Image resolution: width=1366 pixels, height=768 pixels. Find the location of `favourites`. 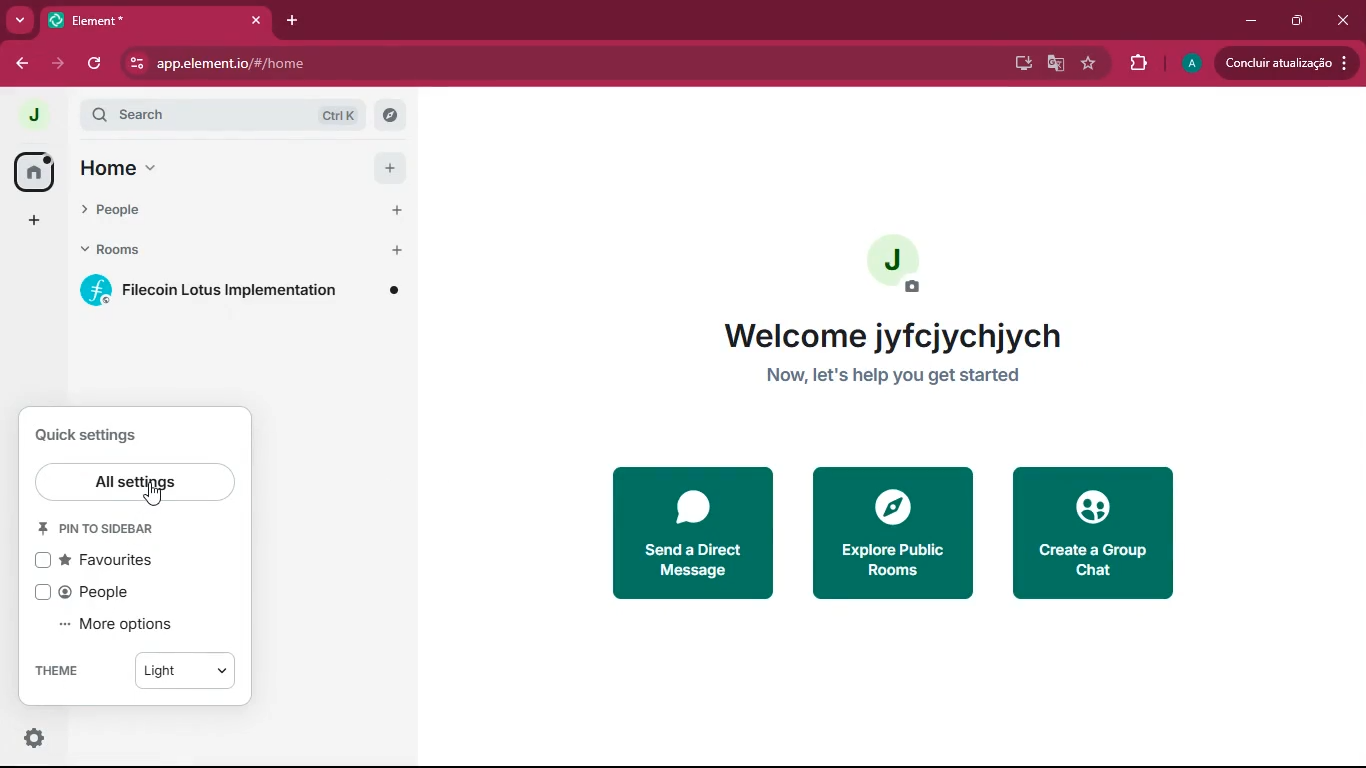

favourites is located at coordinates (111, 560).